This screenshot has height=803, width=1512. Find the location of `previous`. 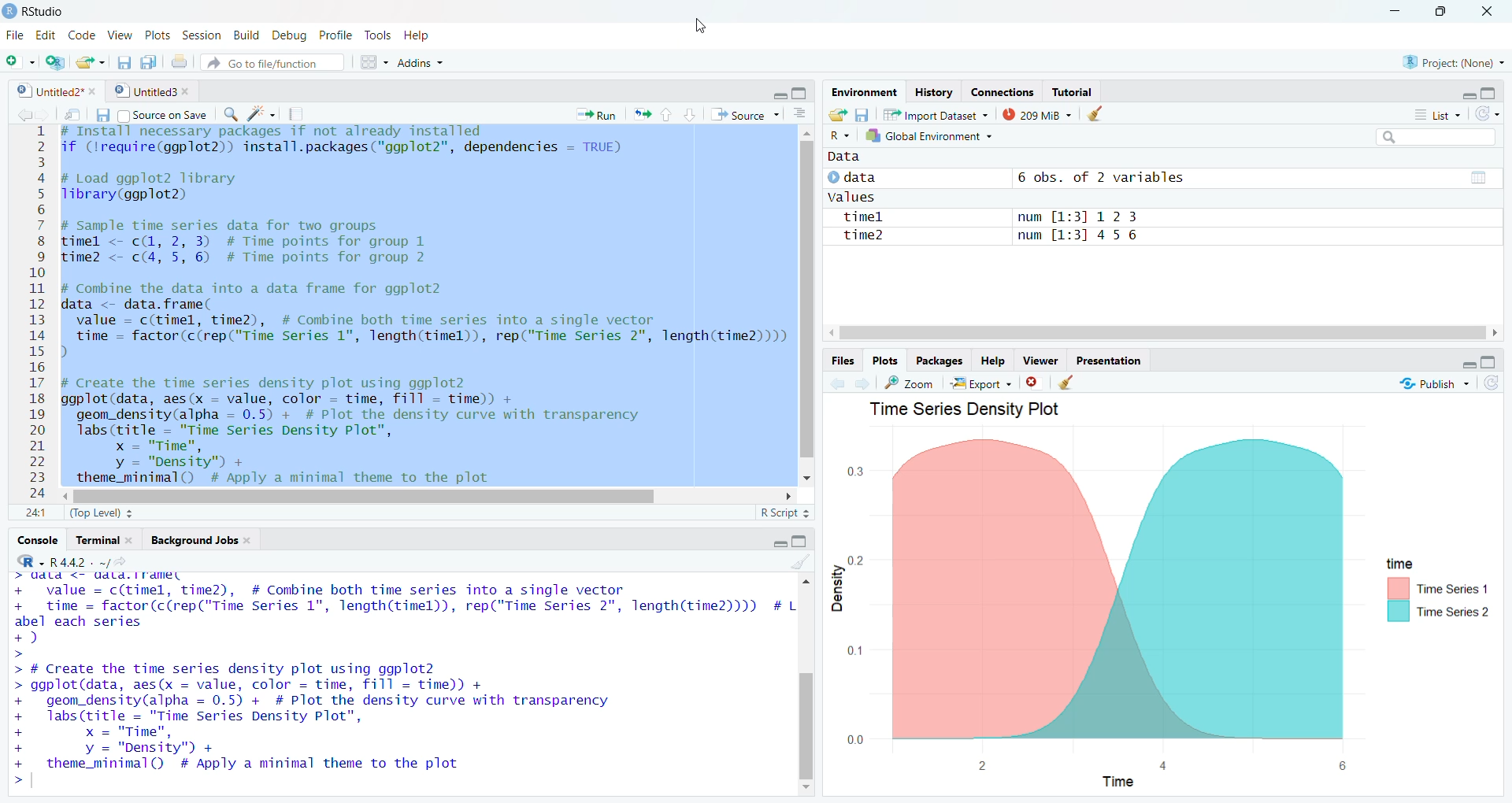

previous is located at coordinates (836, 385).